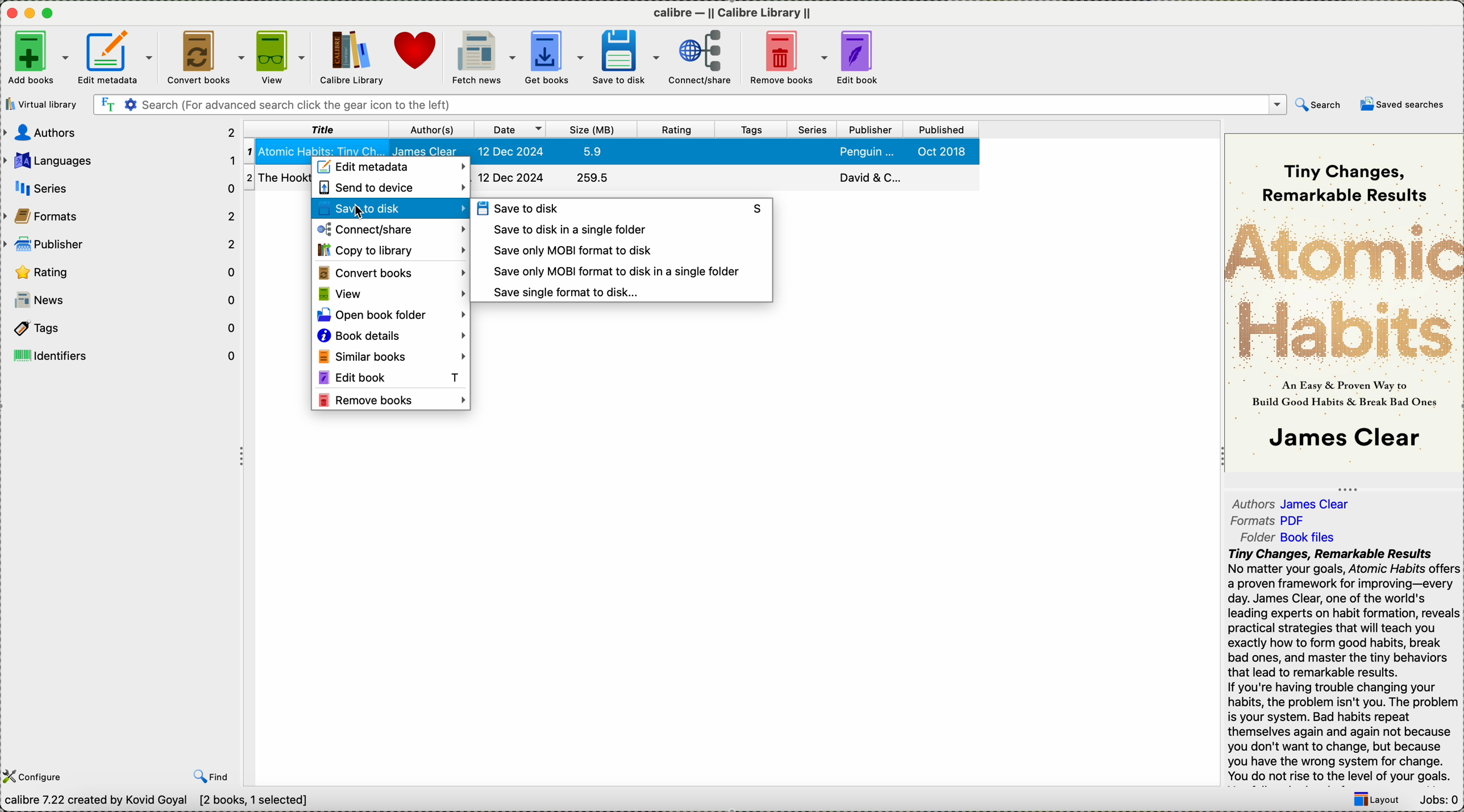 The image size is (1464, 812). Describe the element at coordinates (120, 245) in the screenshot. I see `publisher` at that location.